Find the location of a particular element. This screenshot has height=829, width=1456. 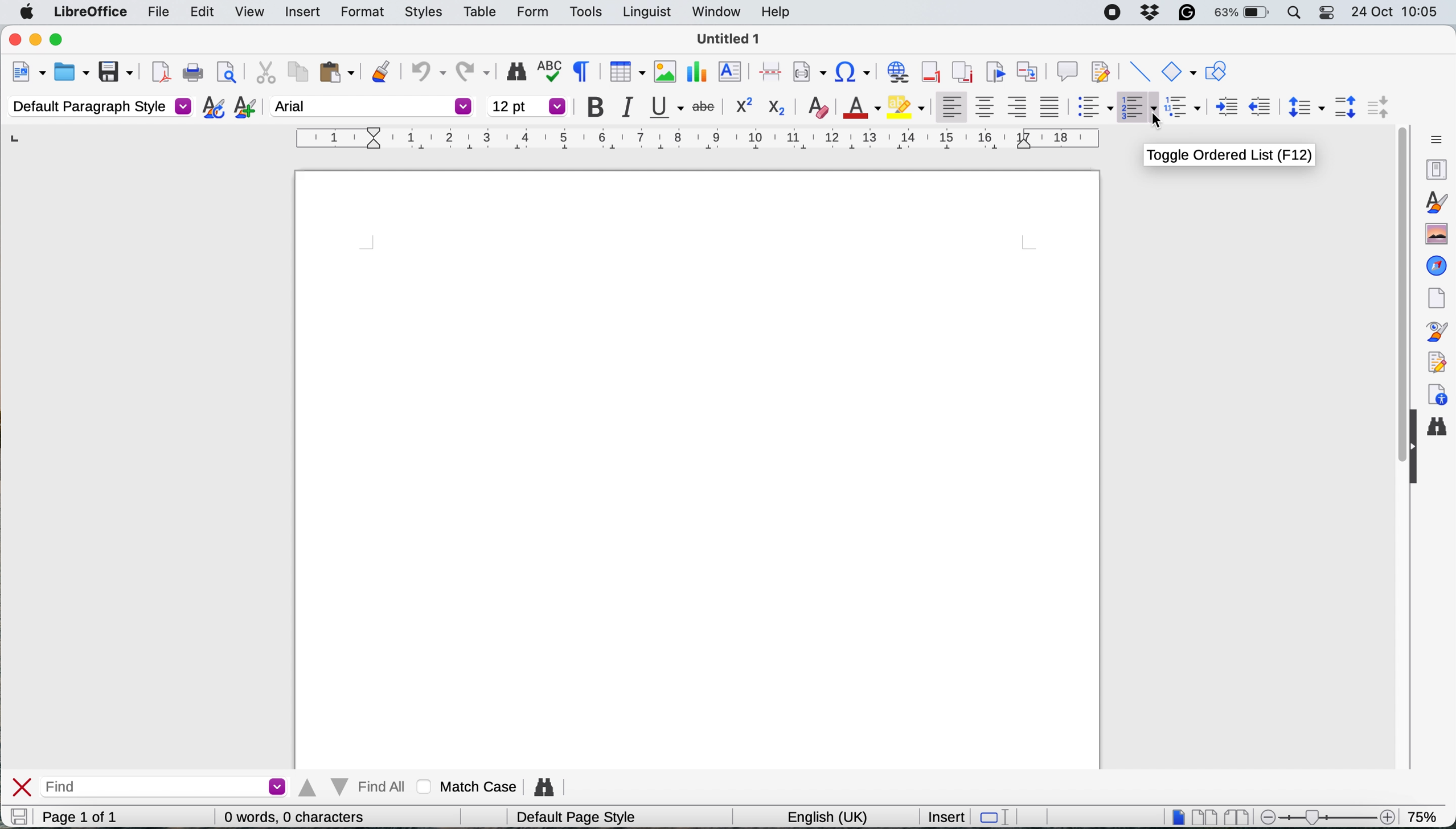

vertical scroll bar is located at coordinates (1392, 297).